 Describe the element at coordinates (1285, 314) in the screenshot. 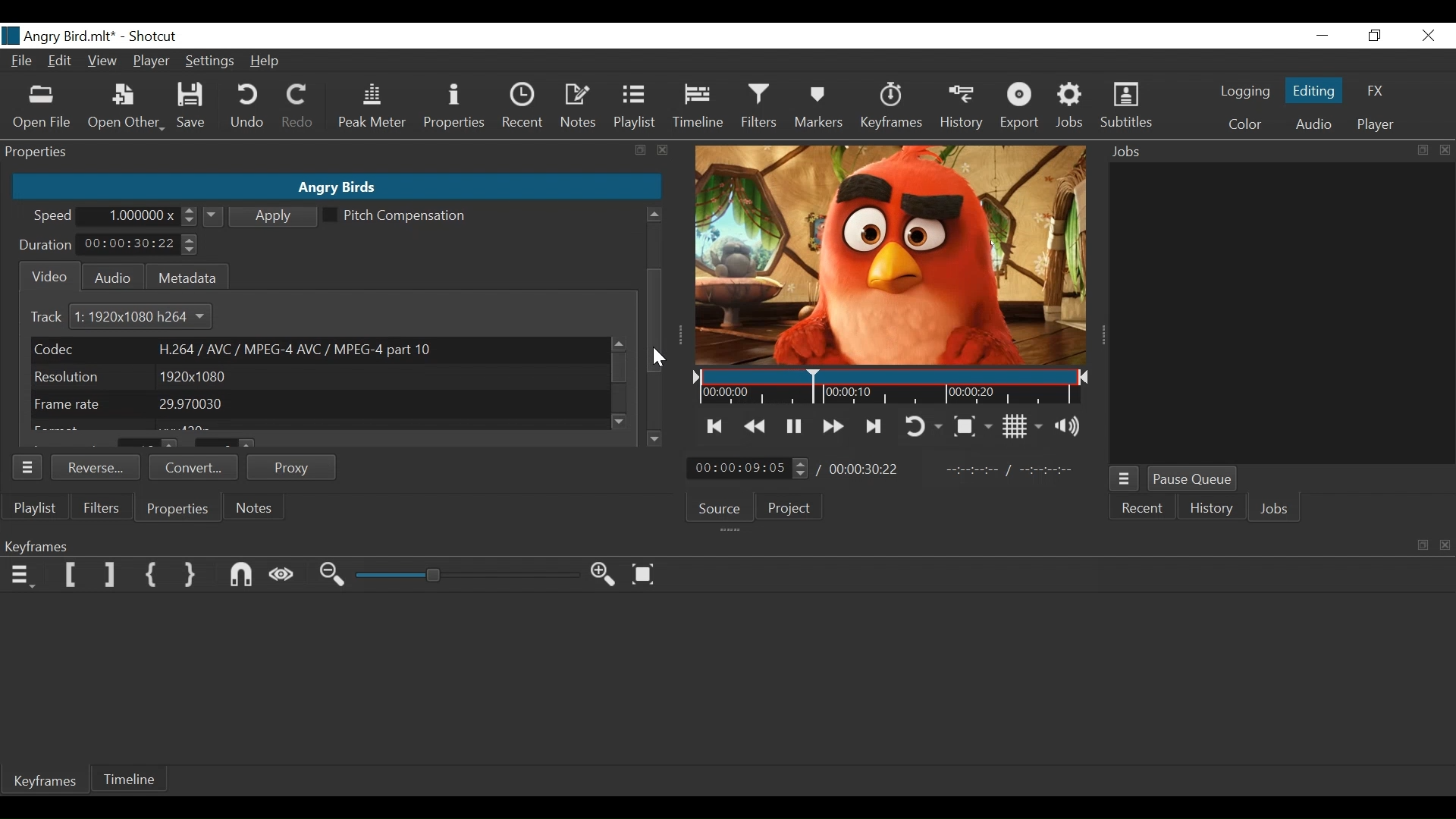

I see `Jobs Panel` at that location.